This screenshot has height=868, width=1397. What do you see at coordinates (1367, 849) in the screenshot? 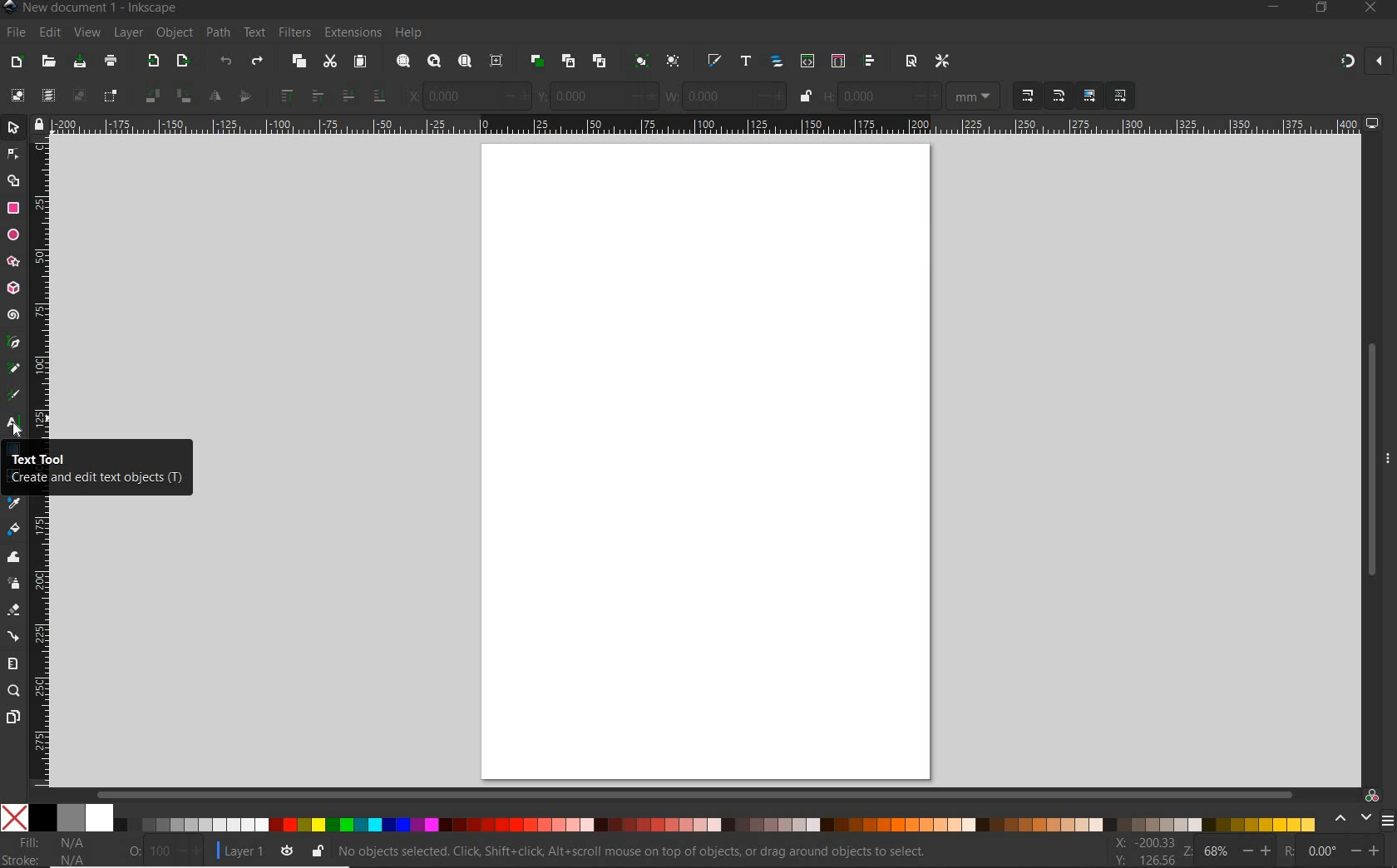
I see `increase/decrease` at bounding box center [1367, 849].